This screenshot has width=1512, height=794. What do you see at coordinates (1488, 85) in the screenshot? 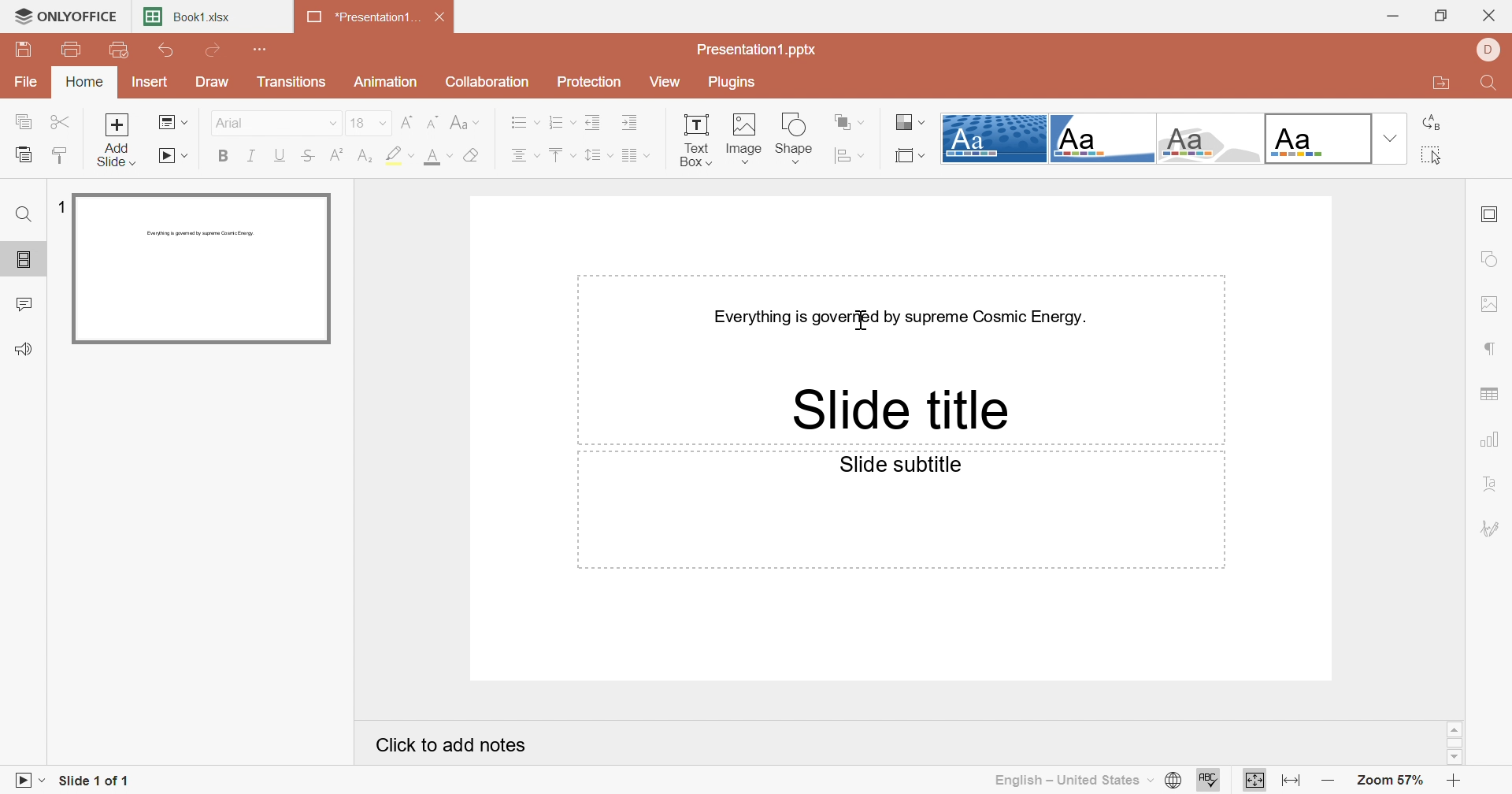
I see `Find` at bounding box center [1488, 85].